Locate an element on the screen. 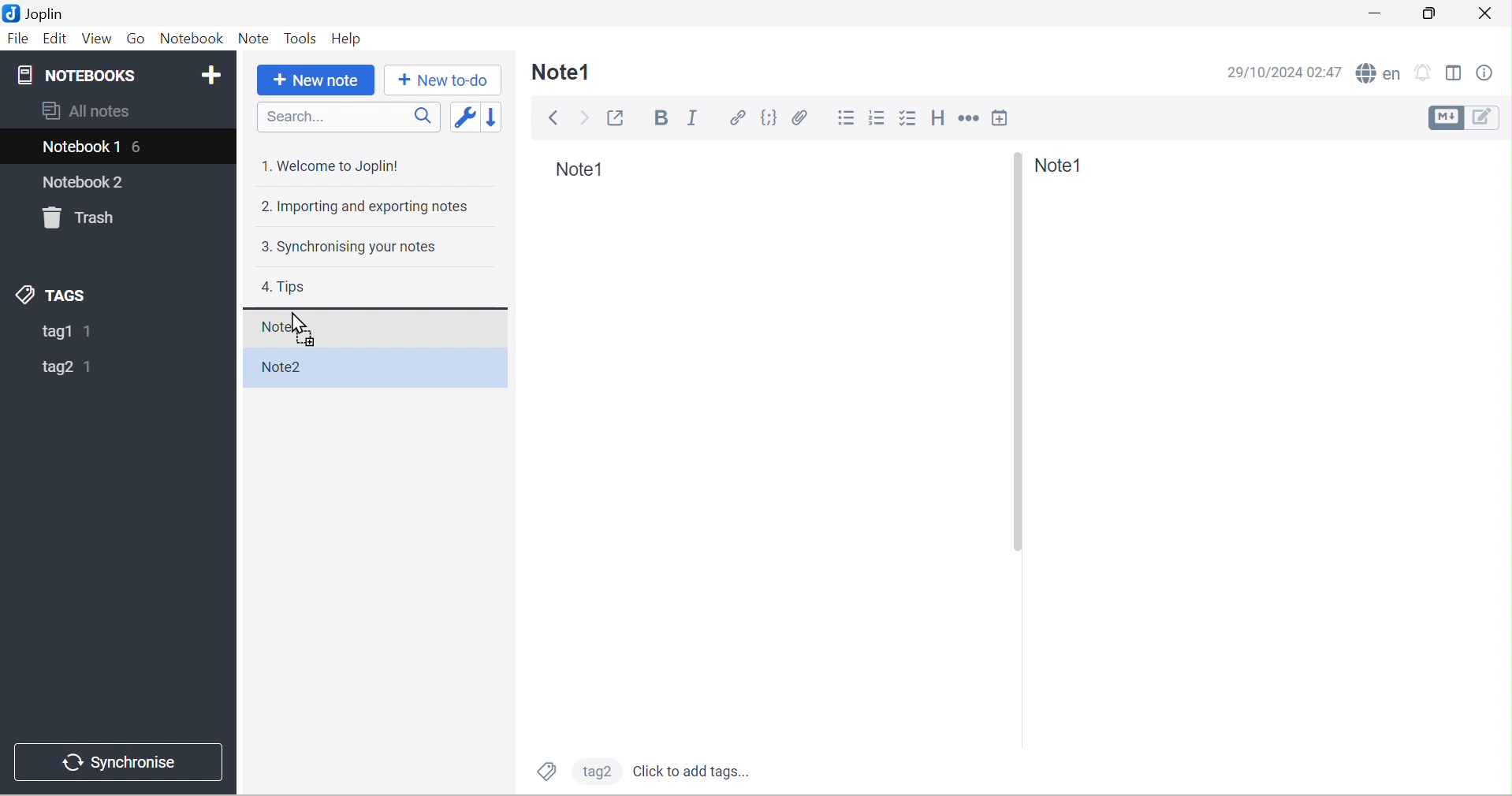 The image size is (1512, 796). tag1 is located at coordinates (55, 332).